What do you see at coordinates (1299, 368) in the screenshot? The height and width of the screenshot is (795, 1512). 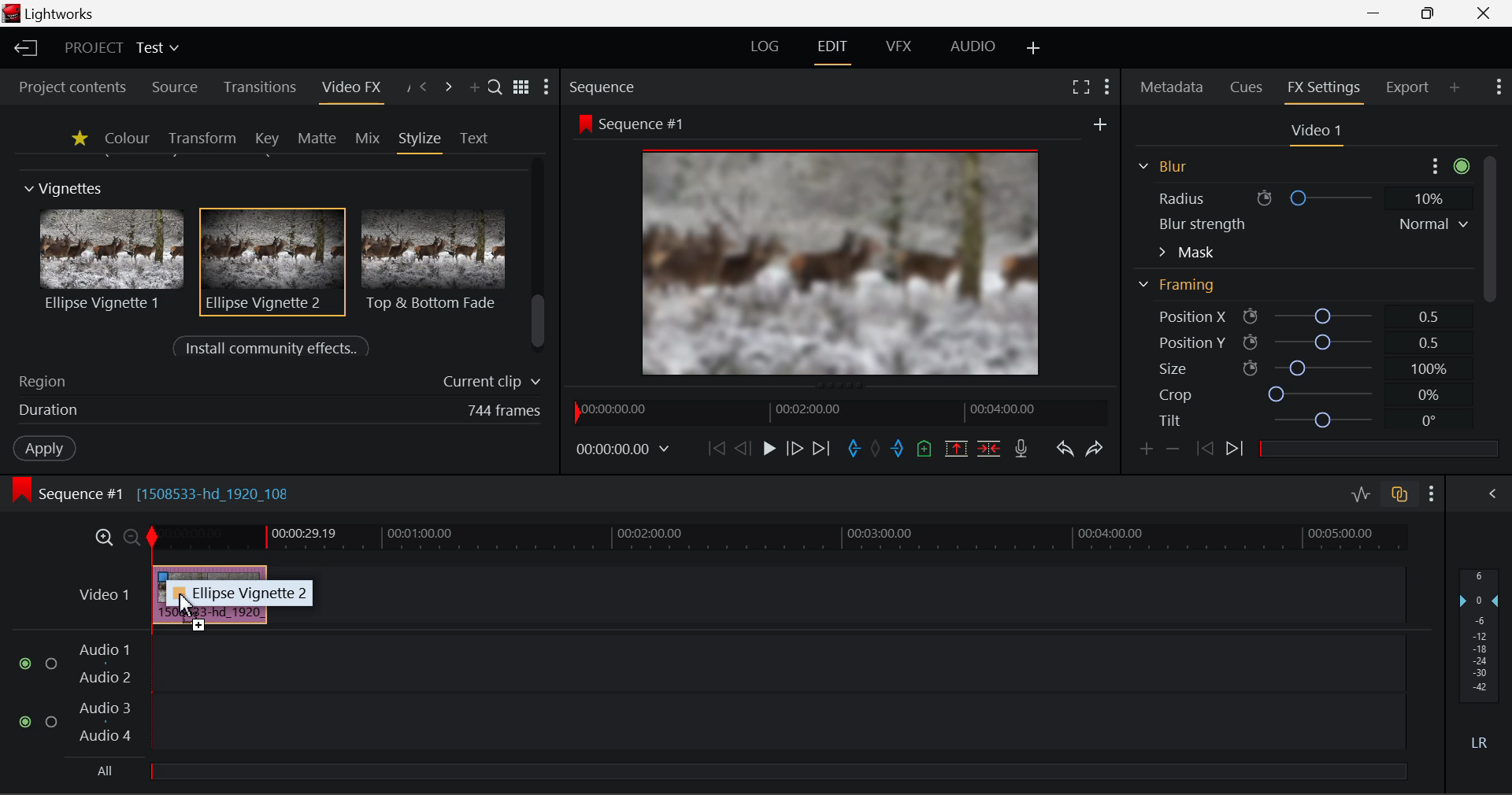 I see `Size` at bounding box center [1299, 368].